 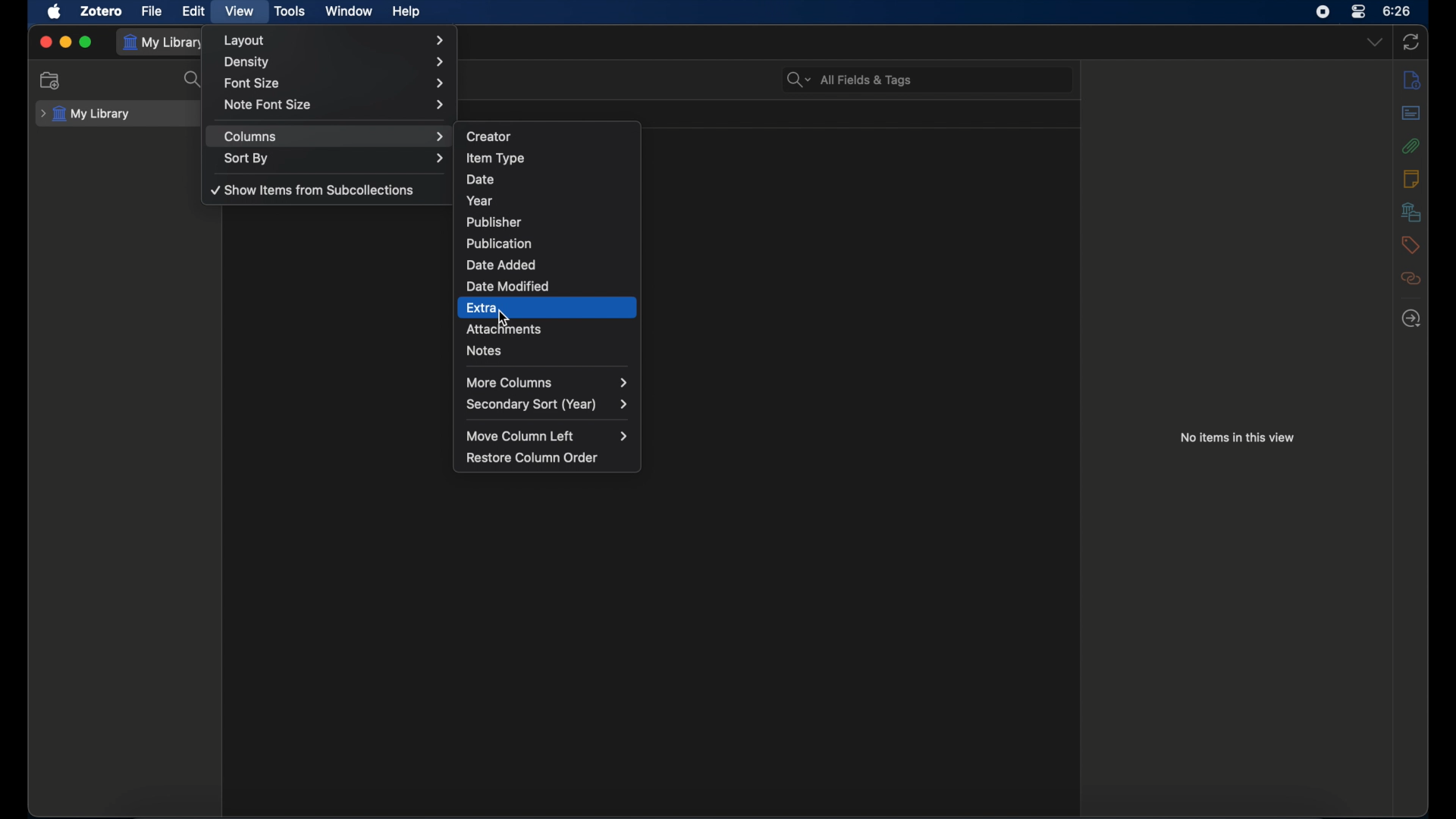 I want to click on notes, so click(x=1412, y=179).